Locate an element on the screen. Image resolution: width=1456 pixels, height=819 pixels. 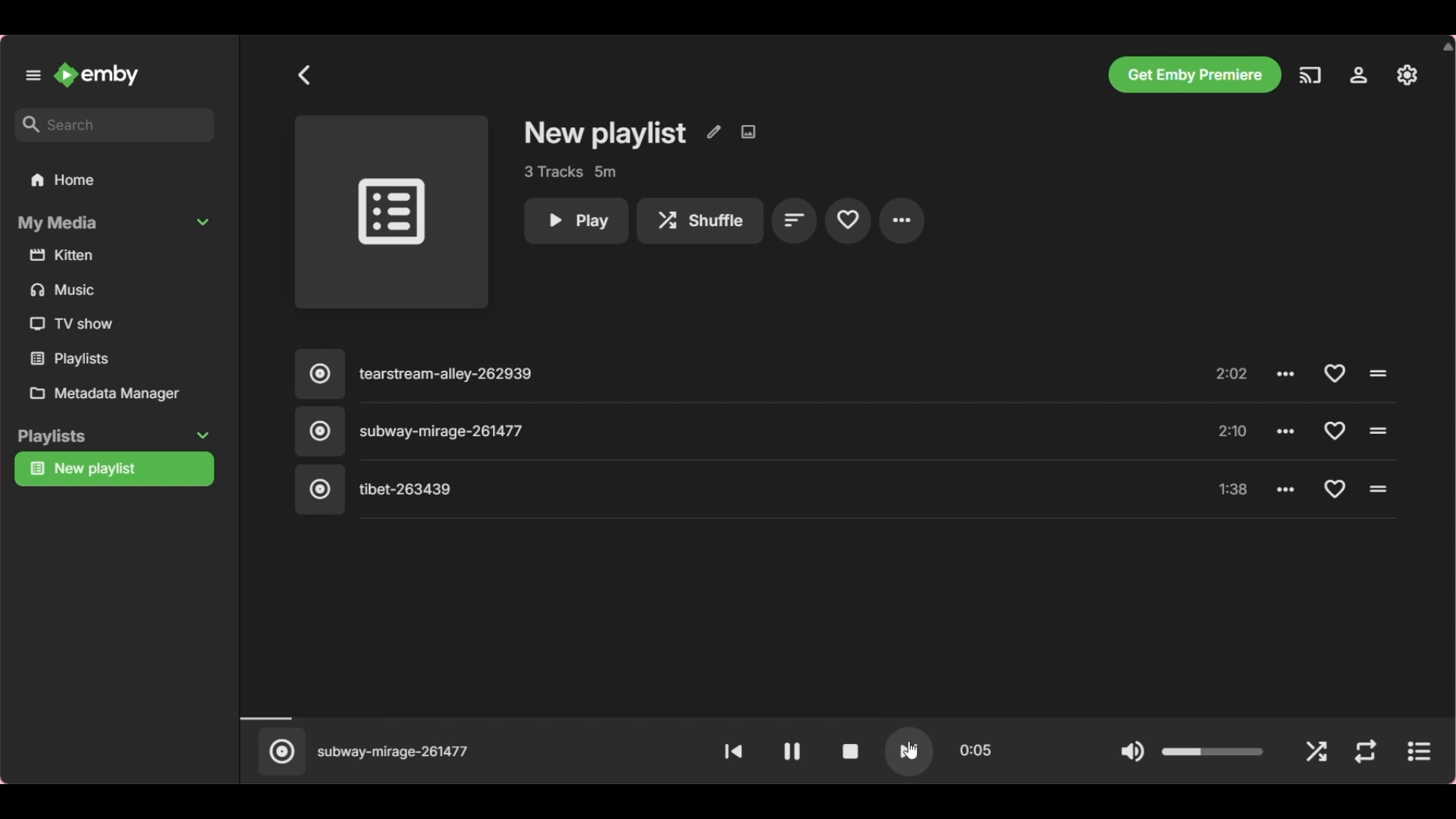
Add to favorite is located at coordinates (1330, 428).